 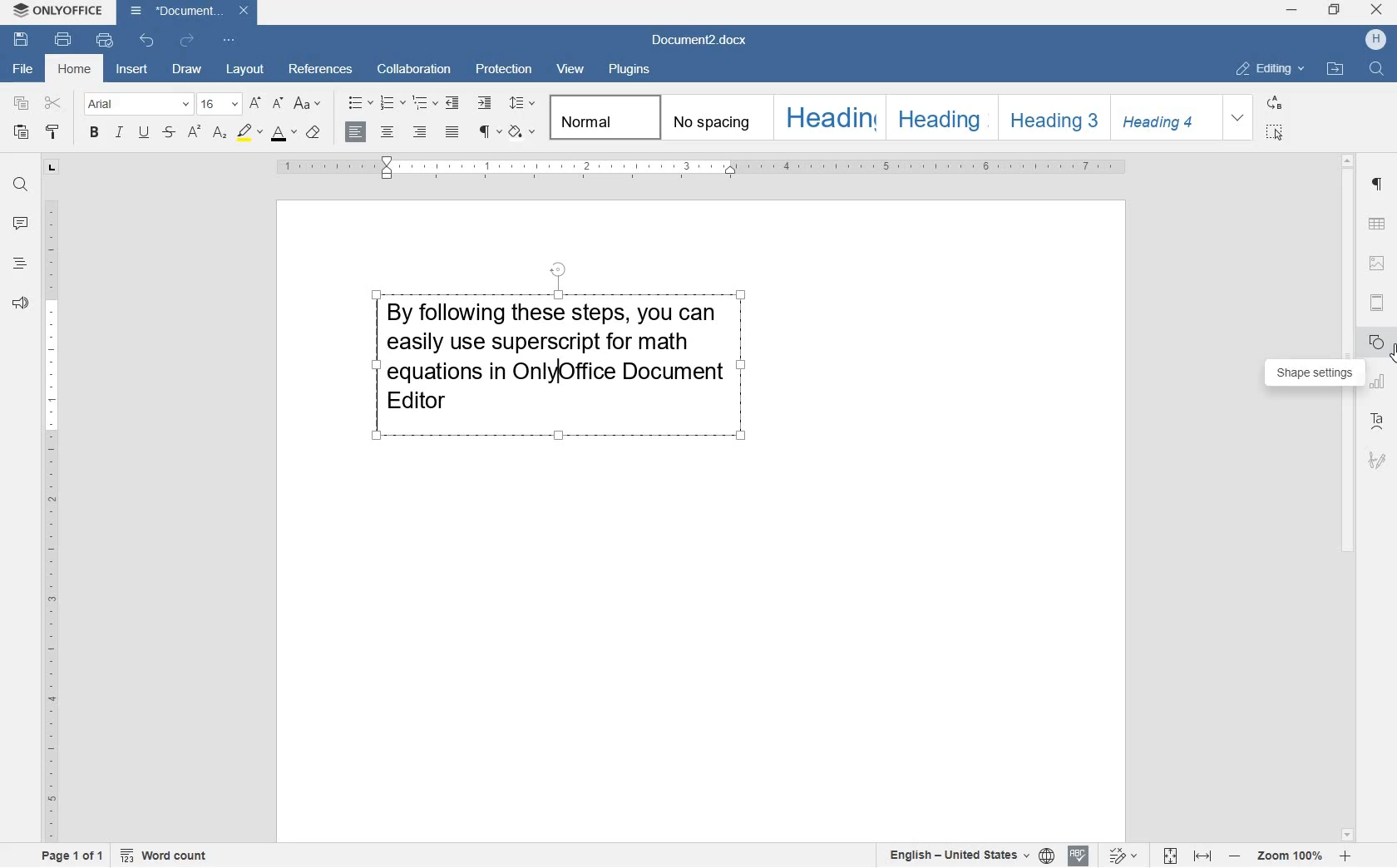 I want to click on paragraph line spacing, so click(x=523, y=101).